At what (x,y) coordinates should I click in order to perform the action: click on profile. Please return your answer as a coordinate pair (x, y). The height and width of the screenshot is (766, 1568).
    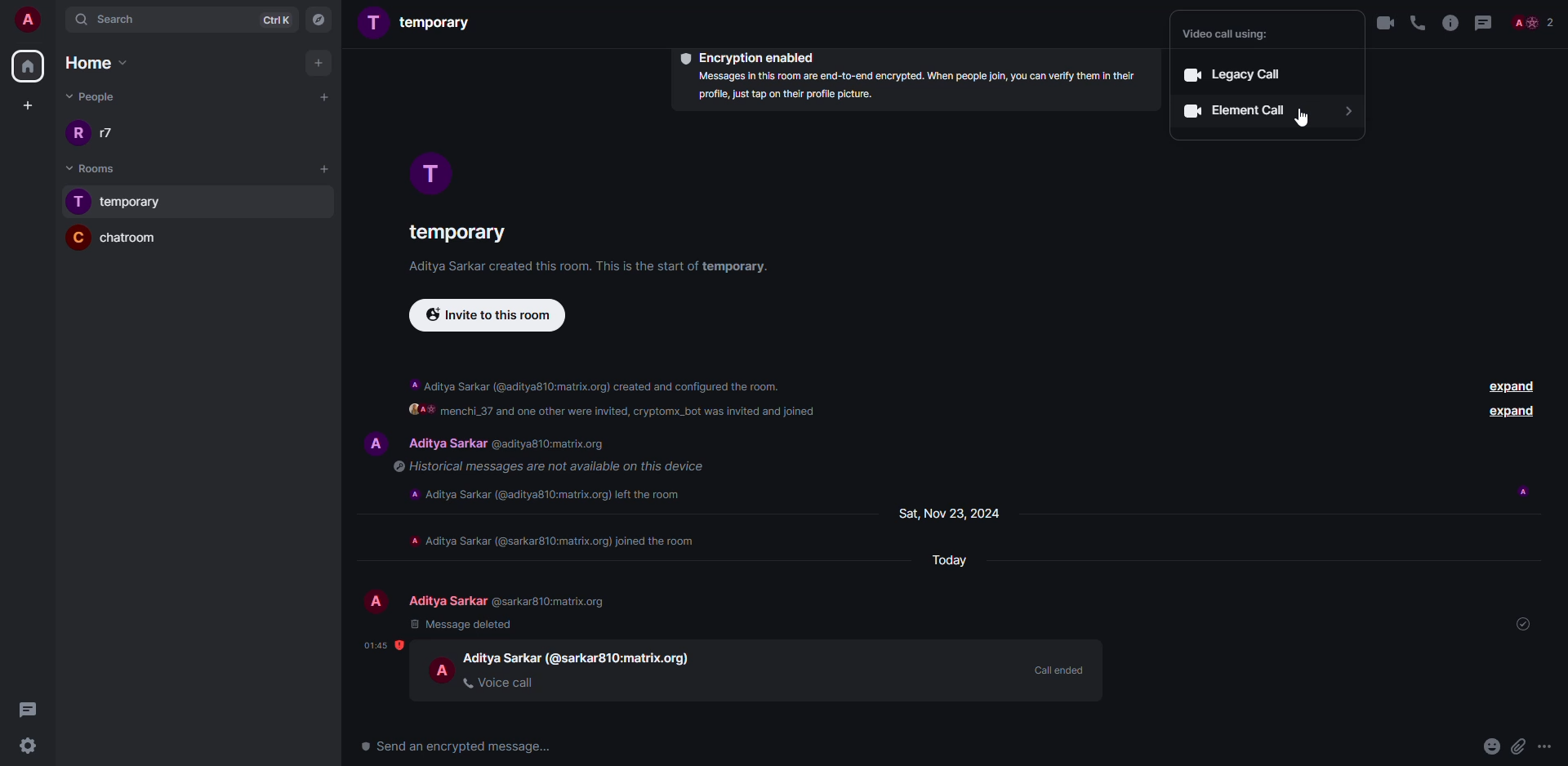
    Looking at the image, I should click on (425, 171).